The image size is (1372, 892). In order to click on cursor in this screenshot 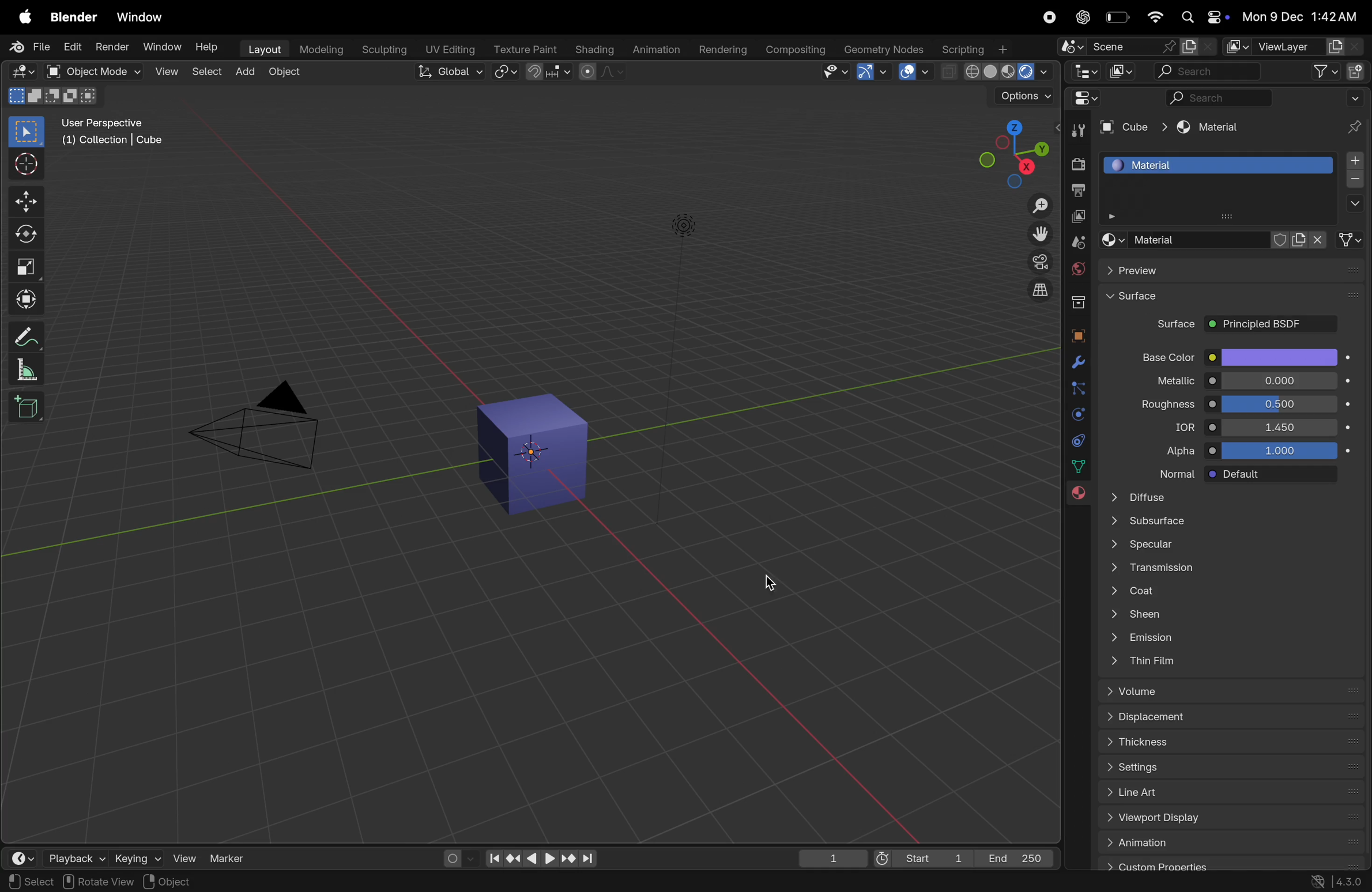, I will do `click(775, 583)`.